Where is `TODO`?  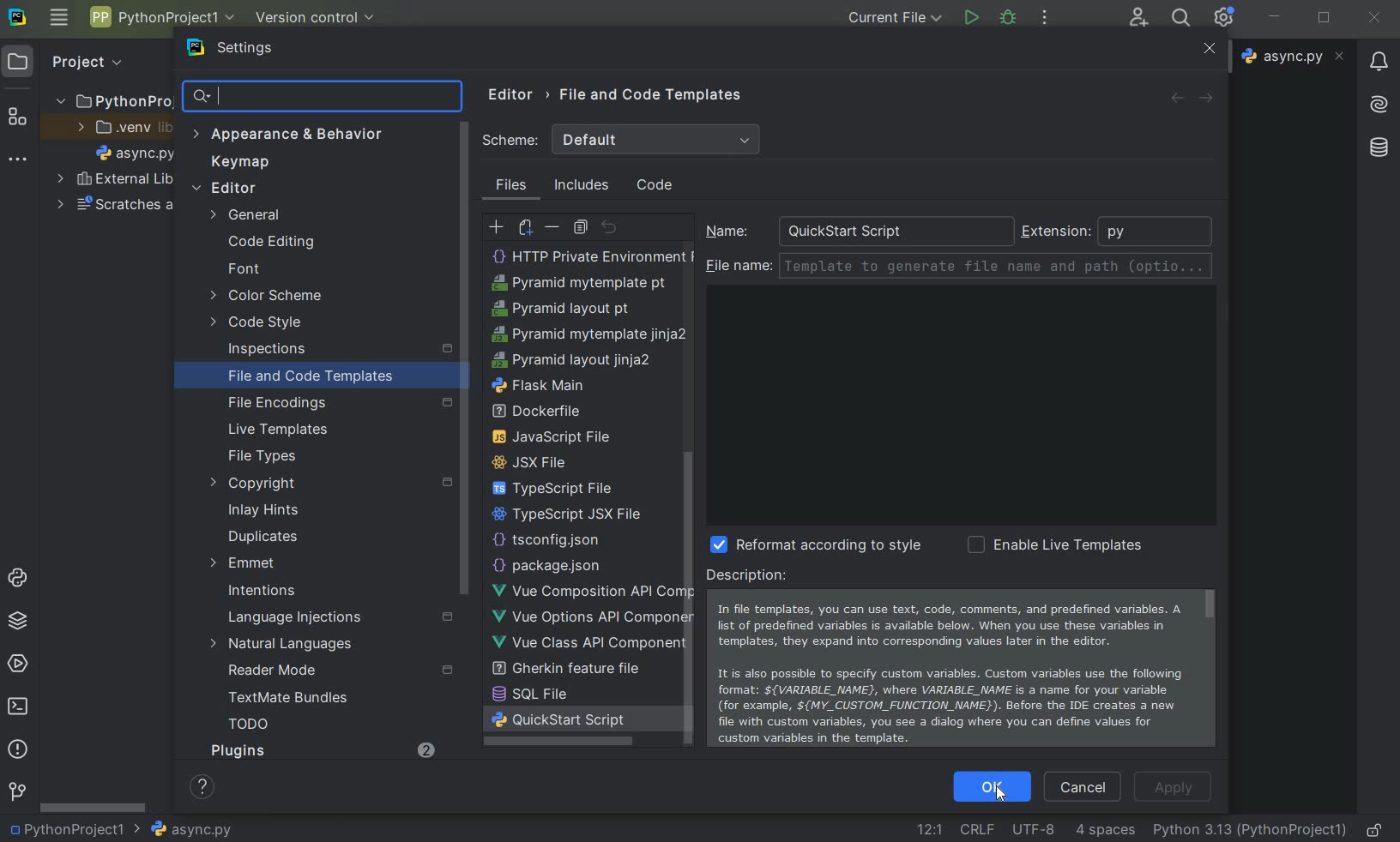
TODO is located at coordinates (271, 725).